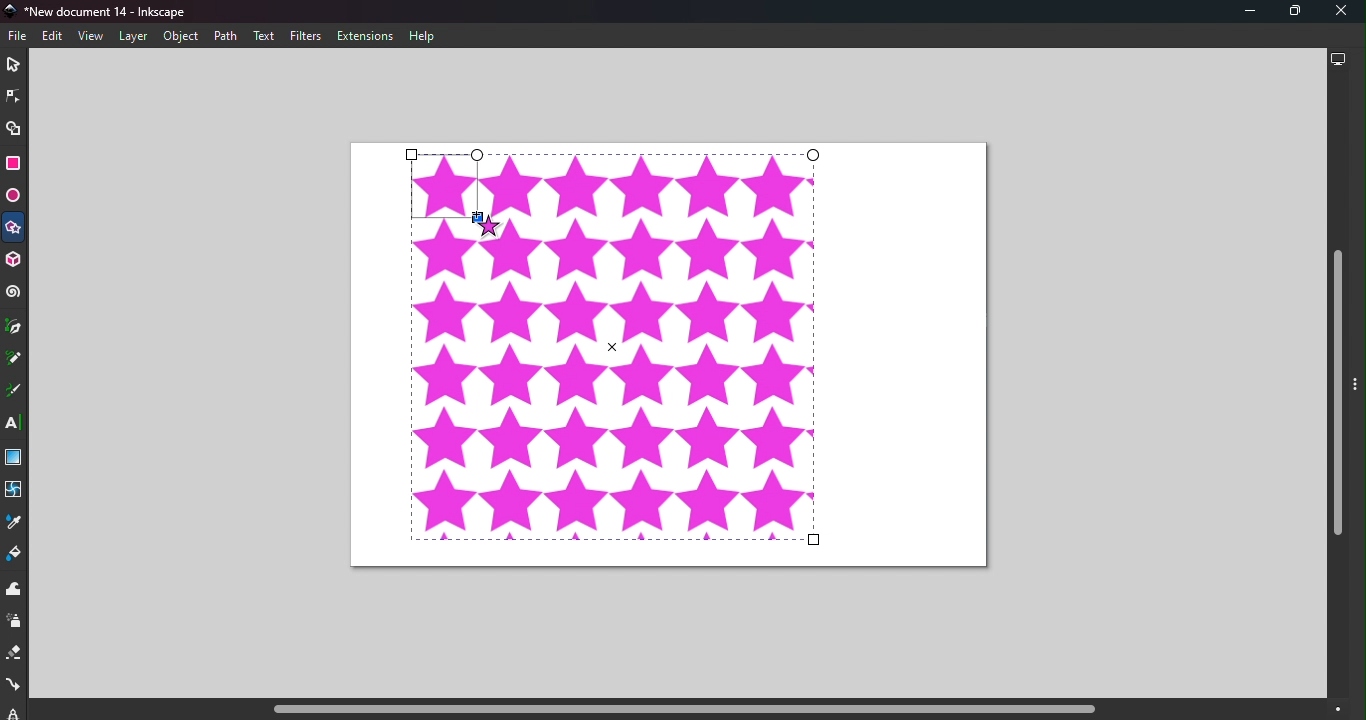 The height and width of the screenshot is (720, 1366). I want to click on Canvas, so click(672, 355).